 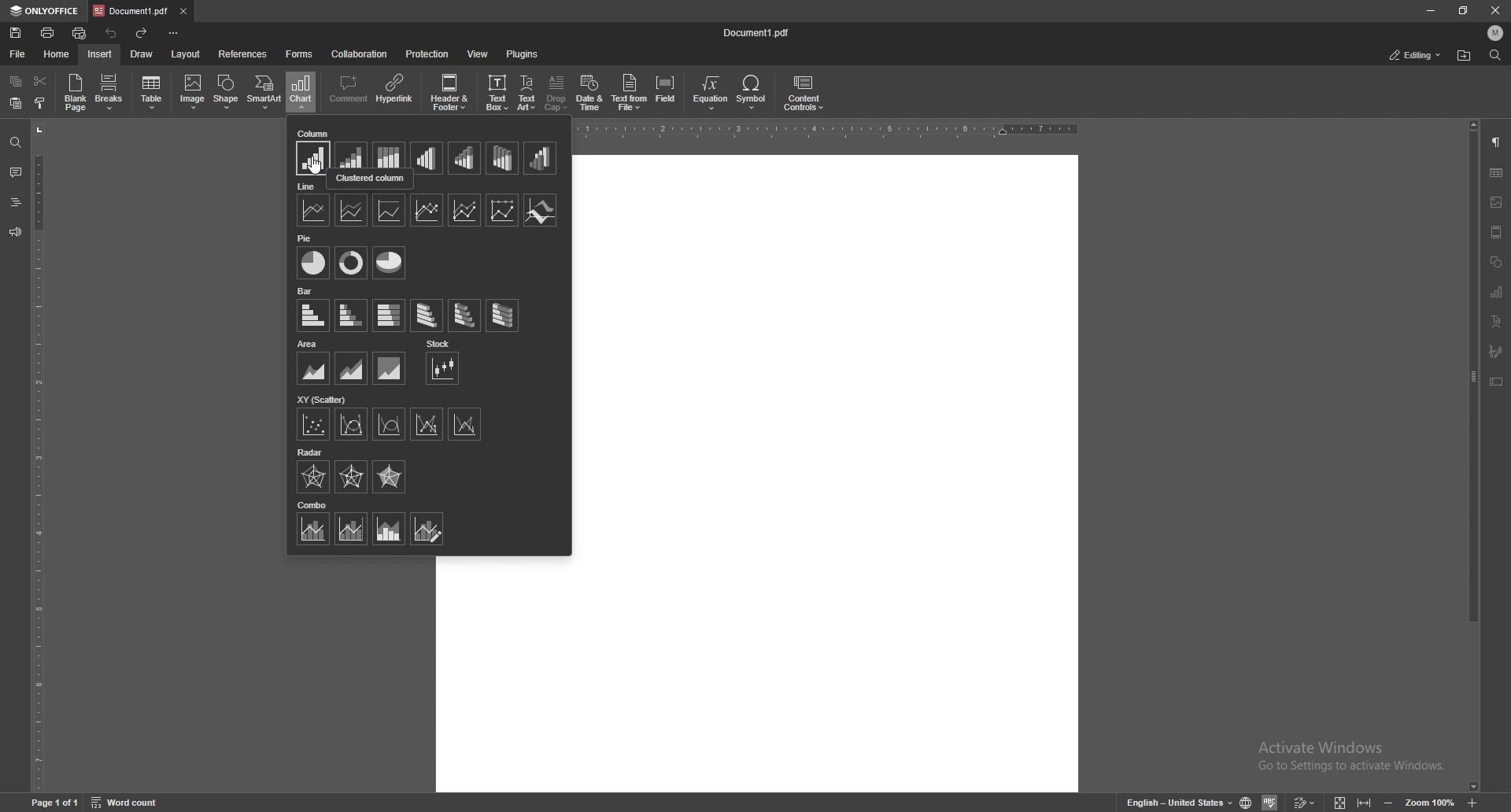 I want to click on 3-D clustered bar, so click(x=427, y=316).